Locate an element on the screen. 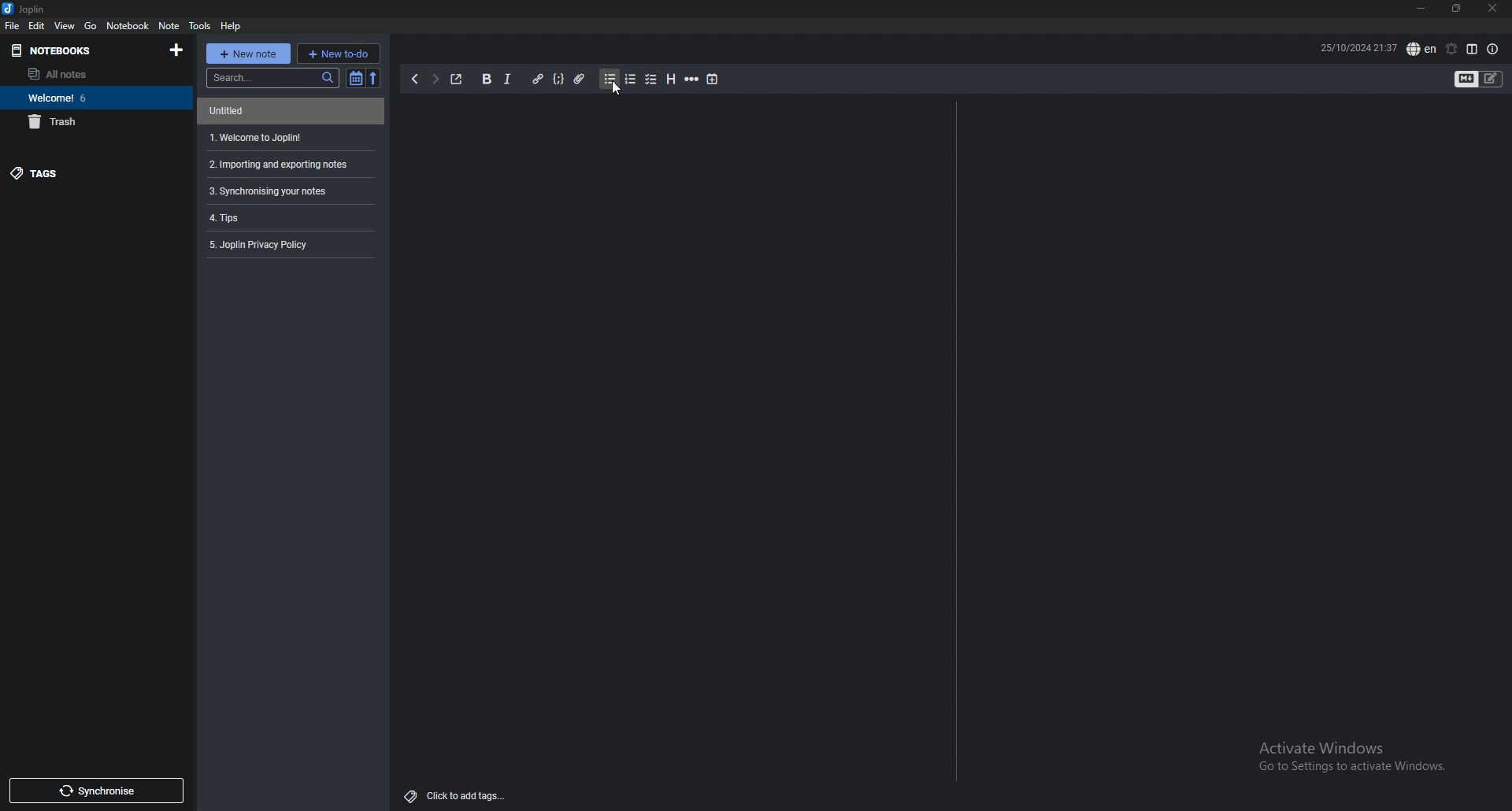 The image size is (1512, 811). Notebook is located at coordinates (122, 24).